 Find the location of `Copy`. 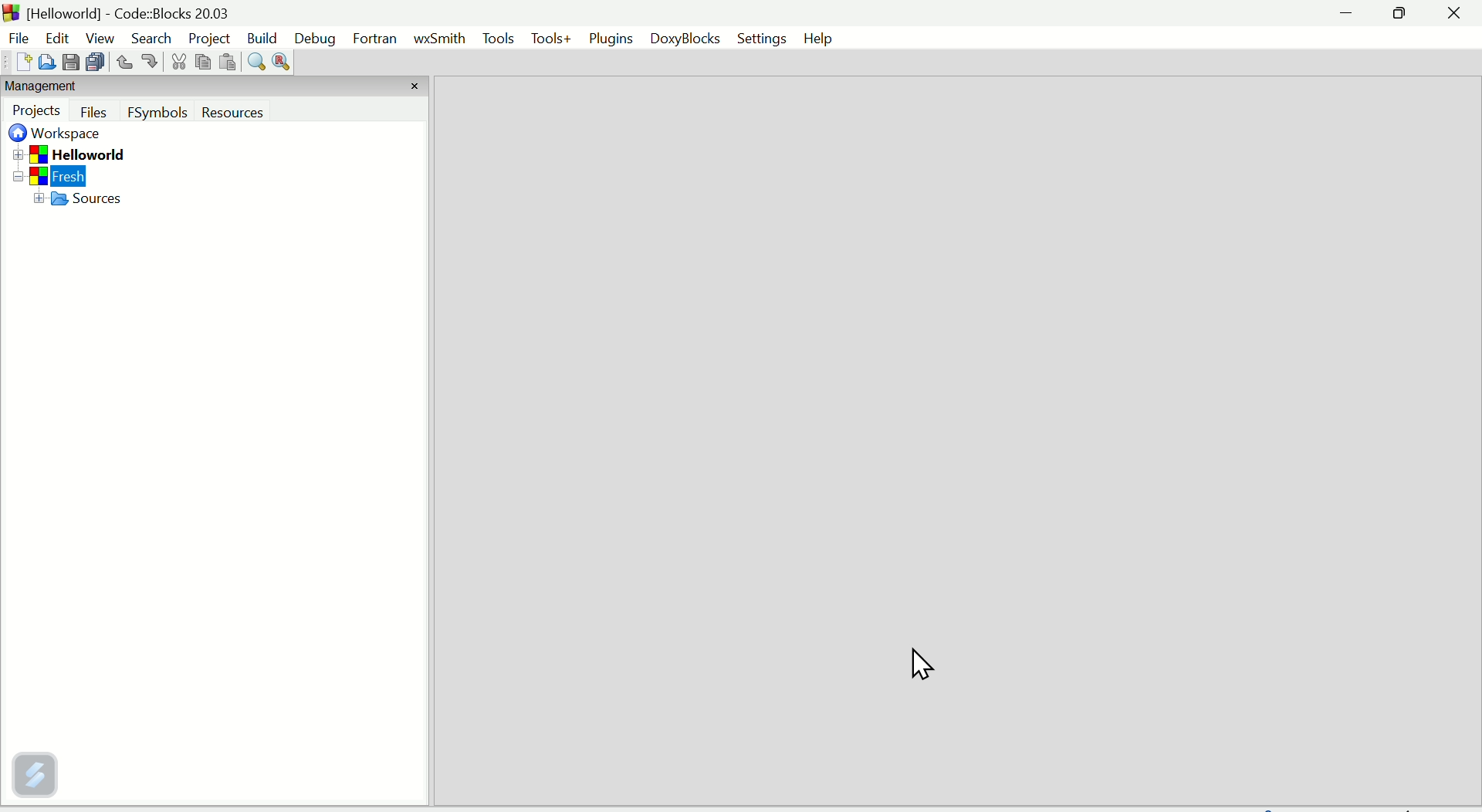

Copy is located at coordinates (201, 62).